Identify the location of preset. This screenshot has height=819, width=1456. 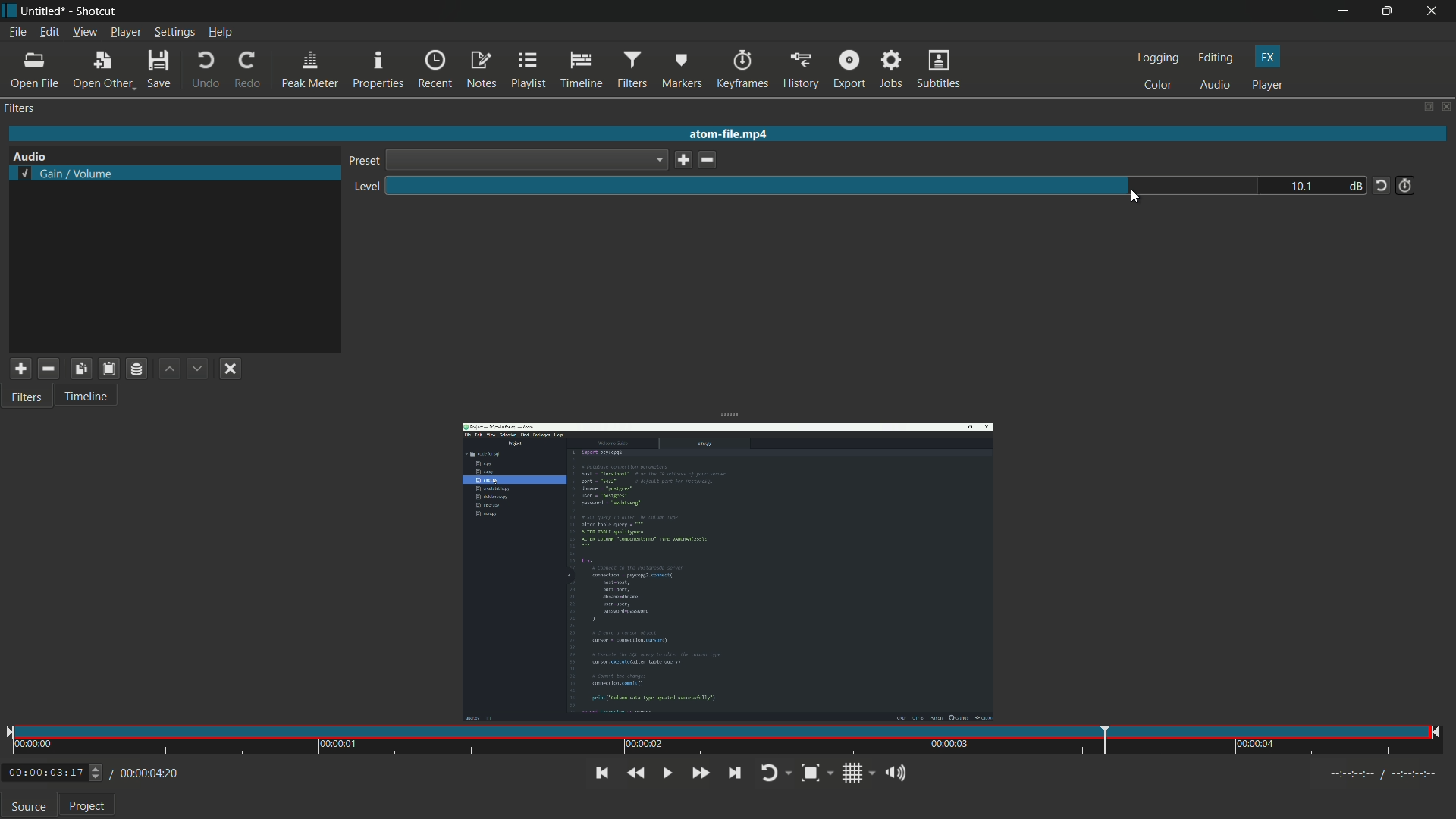
(362, 162).